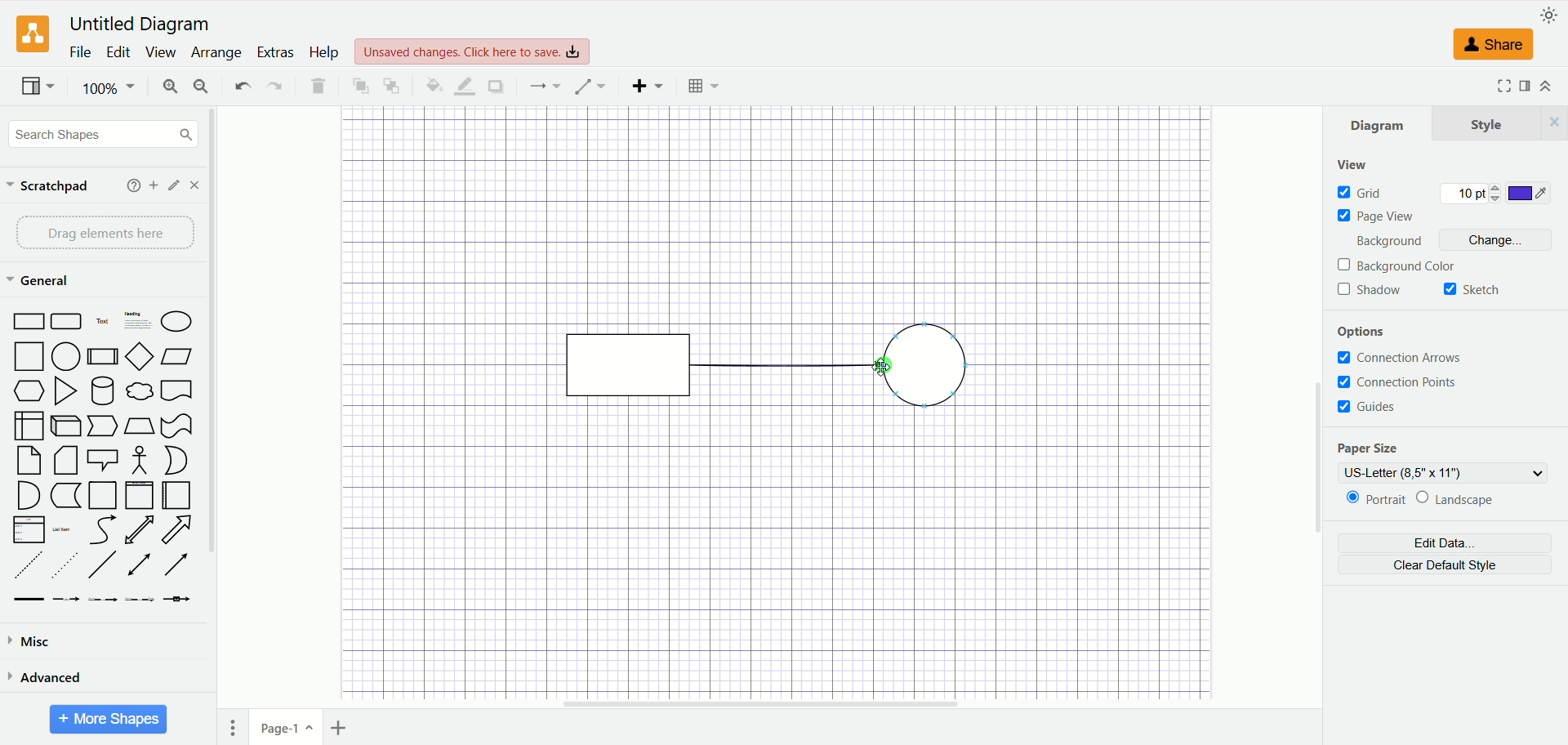 This screenshot has height=745, width=1568. I want to click on Cuboid, so click(68, 426).